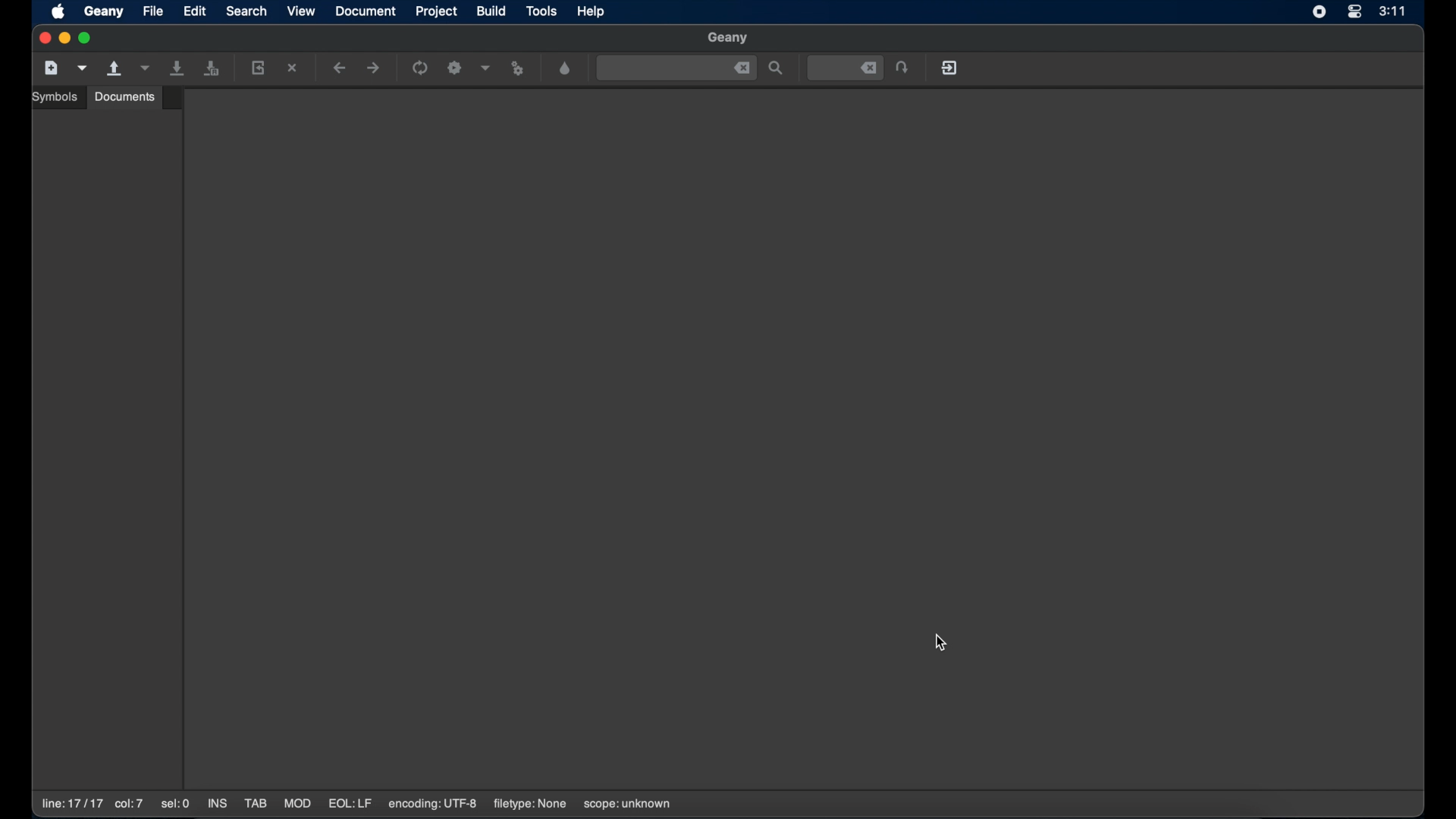 The image size is (1456, 819). I want to click on MOD, so click(297, 804).